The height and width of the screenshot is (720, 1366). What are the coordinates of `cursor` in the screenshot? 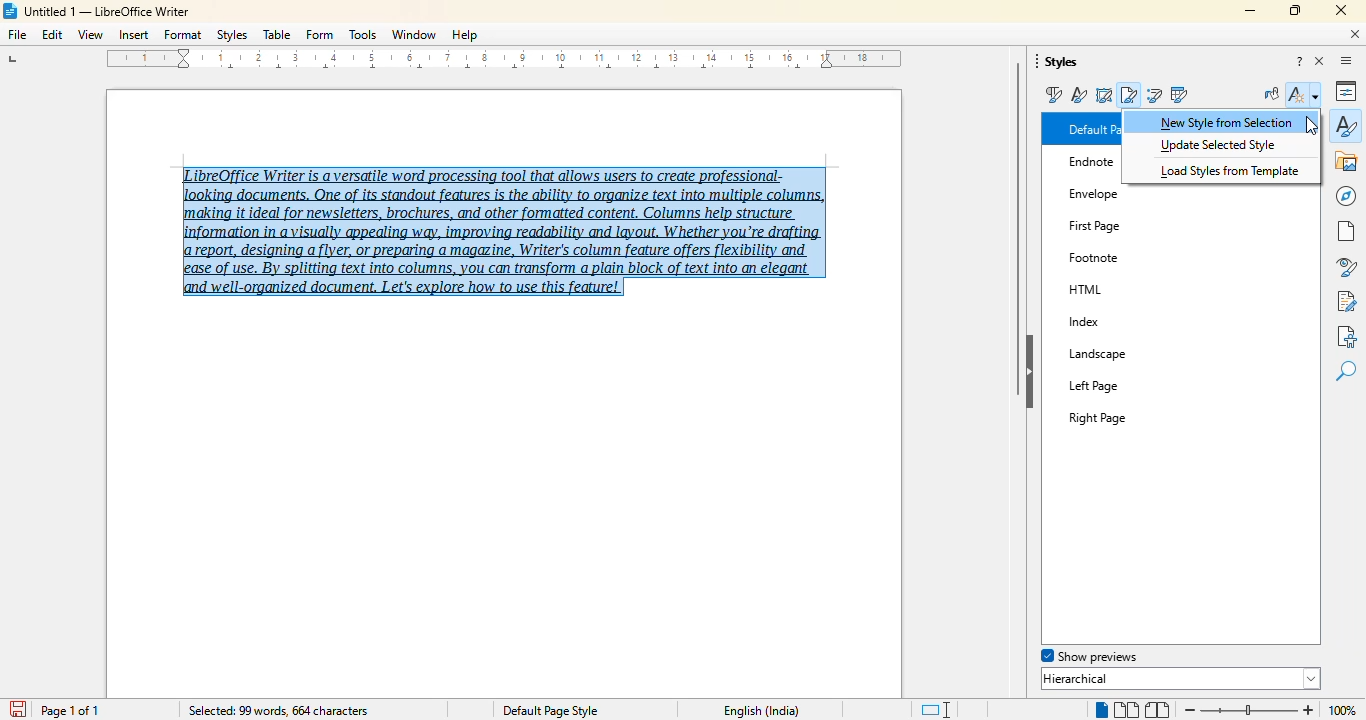 It's located at (1313, 124).